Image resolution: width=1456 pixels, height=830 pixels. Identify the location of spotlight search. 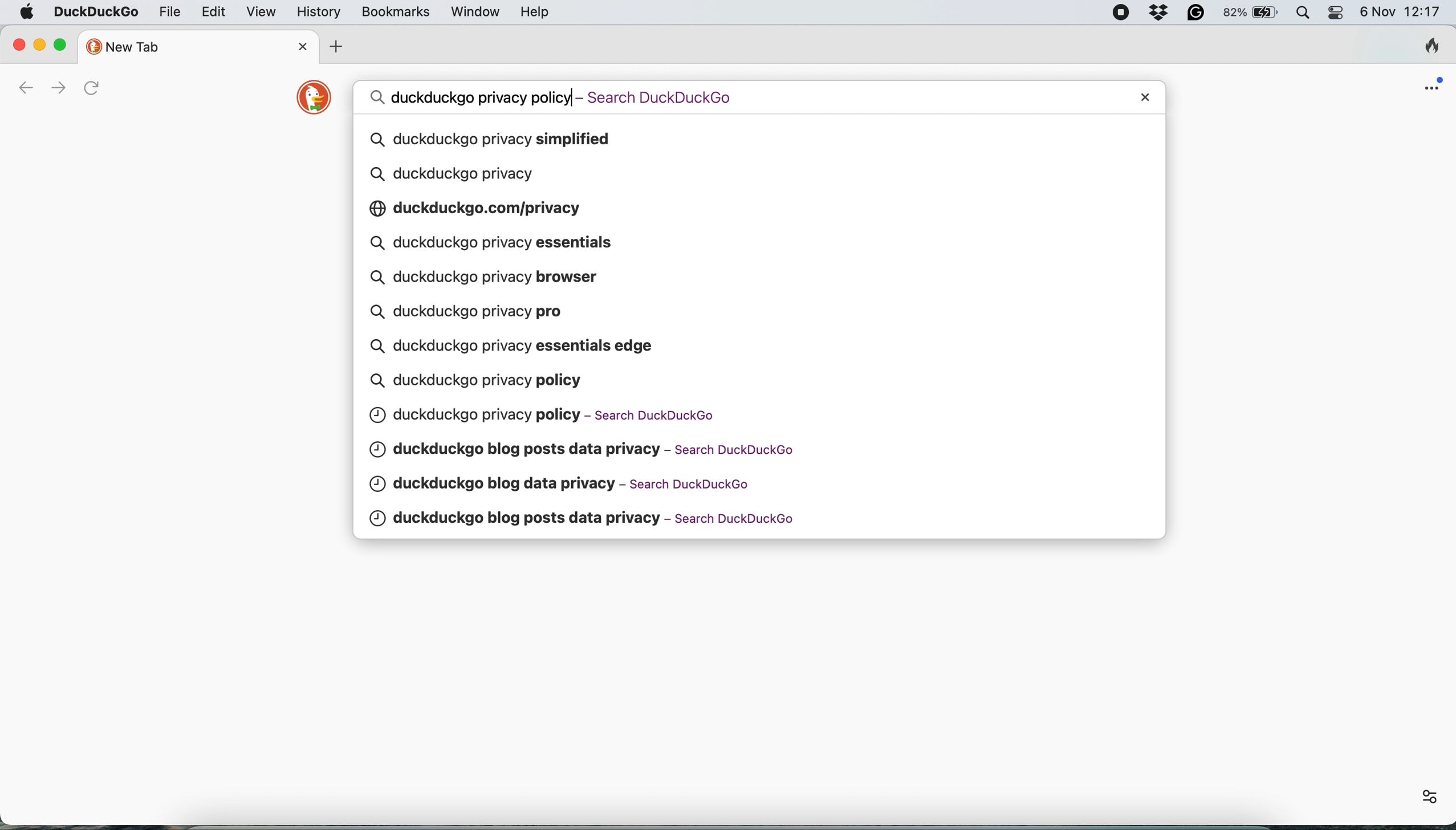
(1304, 14).